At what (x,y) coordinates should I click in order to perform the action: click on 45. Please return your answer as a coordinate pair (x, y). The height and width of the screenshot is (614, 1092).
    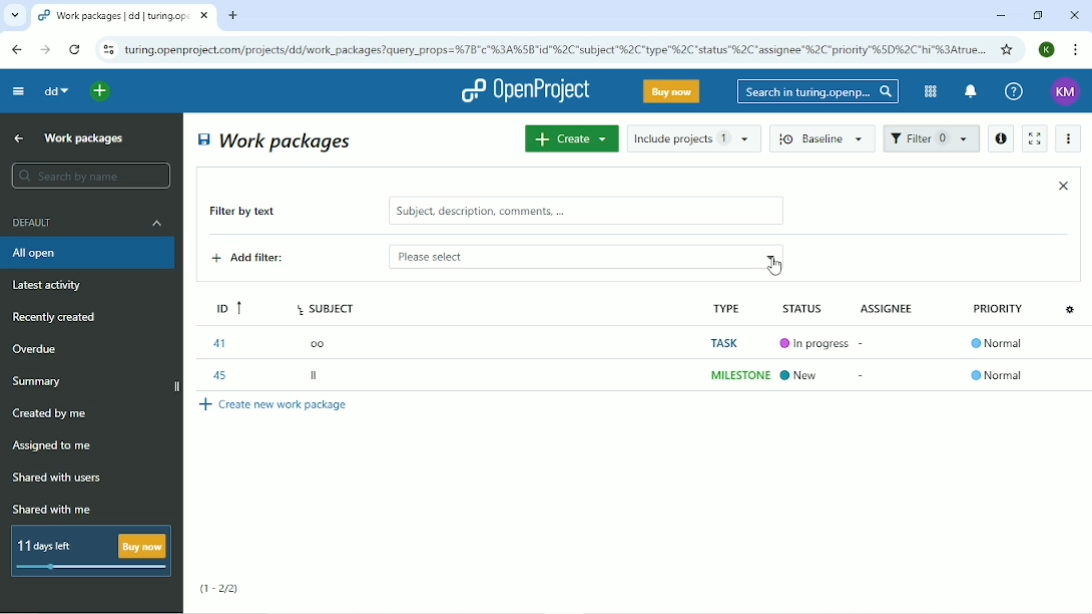
    Looking at the image, I should click on (217, 373).